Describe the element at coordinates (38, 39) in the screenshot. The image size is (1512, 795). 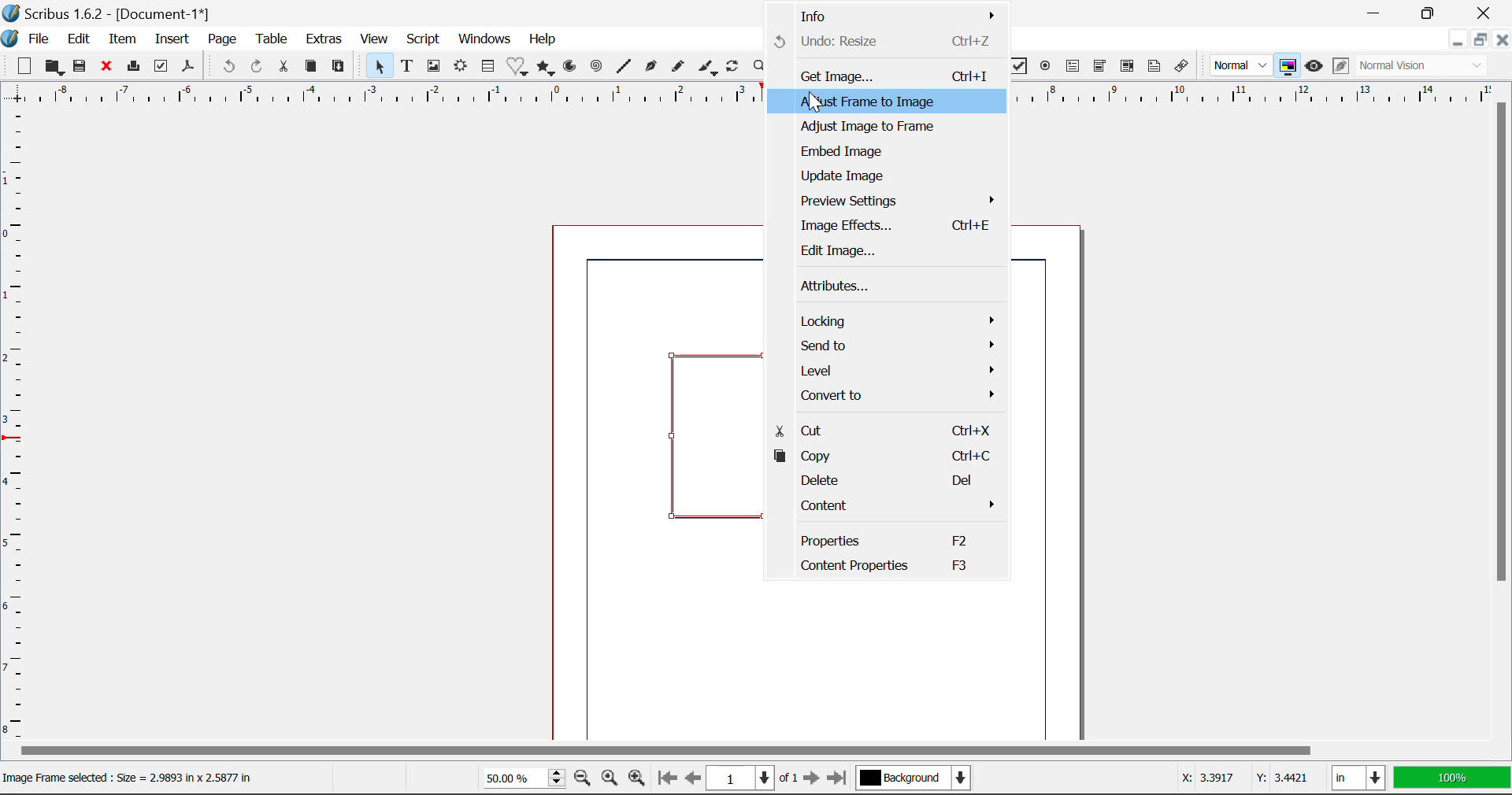
I see `File` at that location.